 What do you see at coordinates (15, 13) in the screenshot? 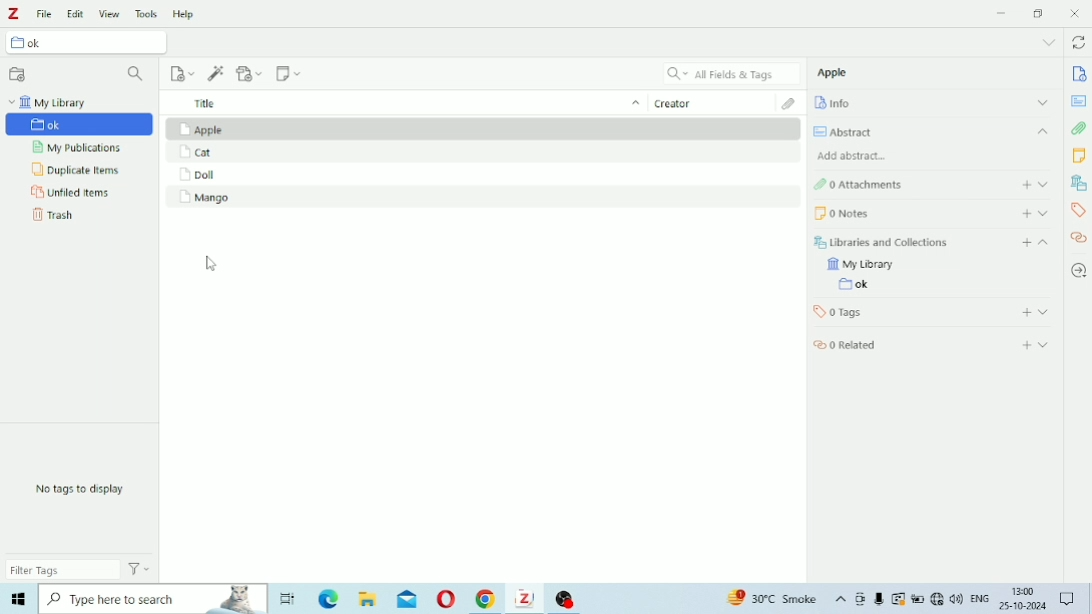
I see `Logo` at bounding box center [15, 13].